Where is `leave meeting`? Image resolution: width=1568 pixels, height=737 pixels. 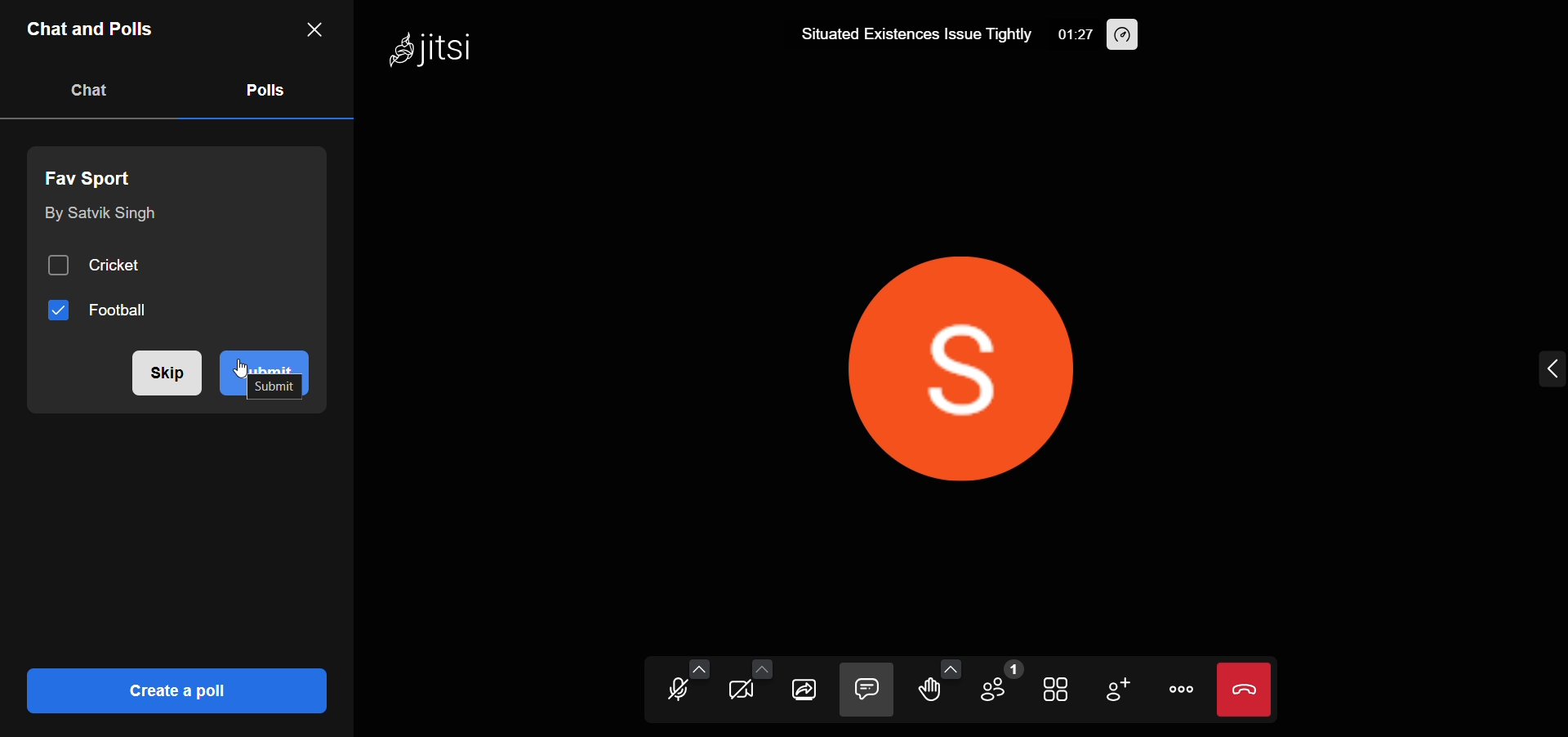 leave meeting is located at coordinates (1248, 689).